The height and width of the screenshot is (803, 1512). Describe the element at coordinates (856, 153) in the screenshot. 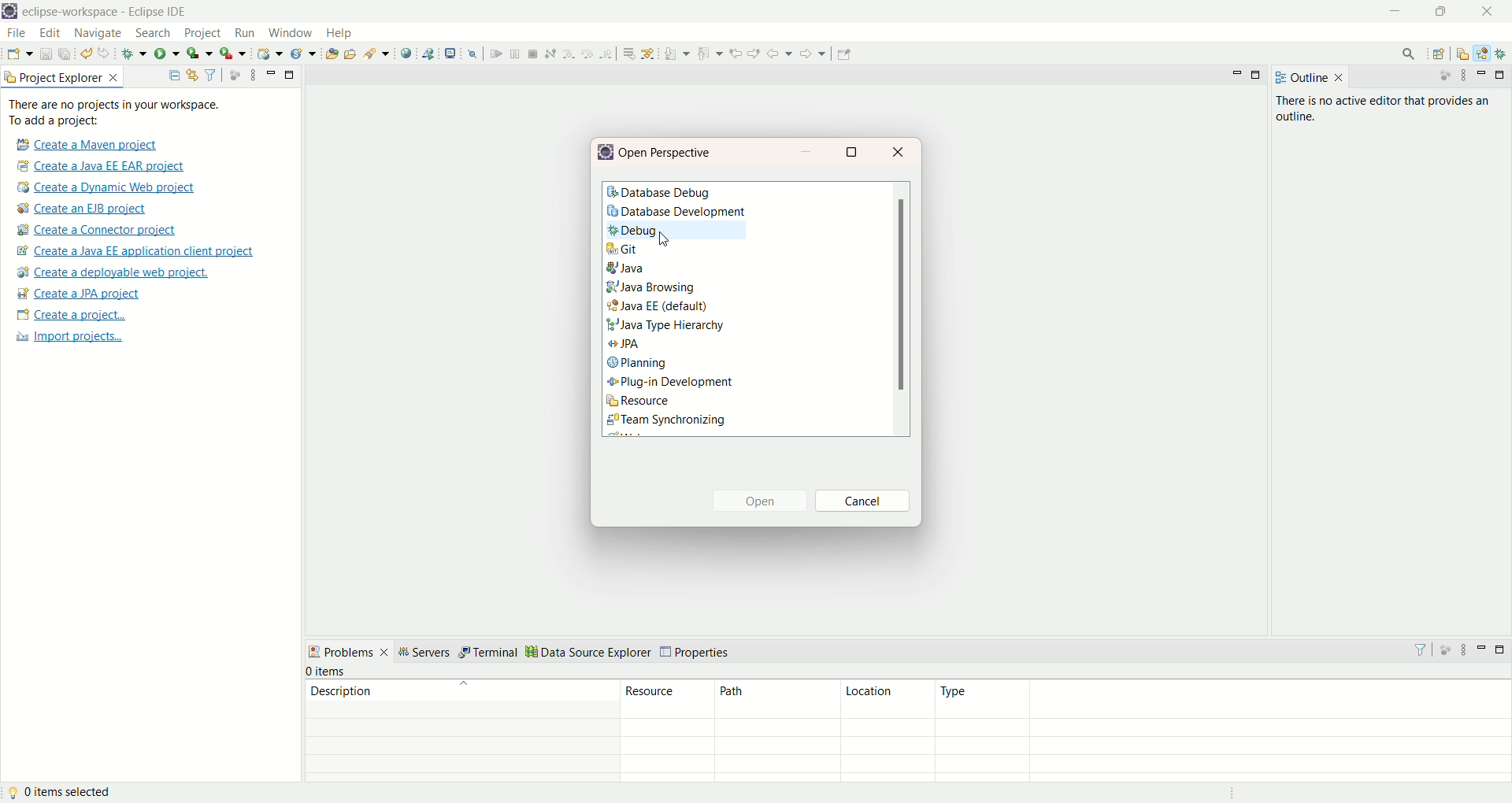

I see `maximize` at that location.